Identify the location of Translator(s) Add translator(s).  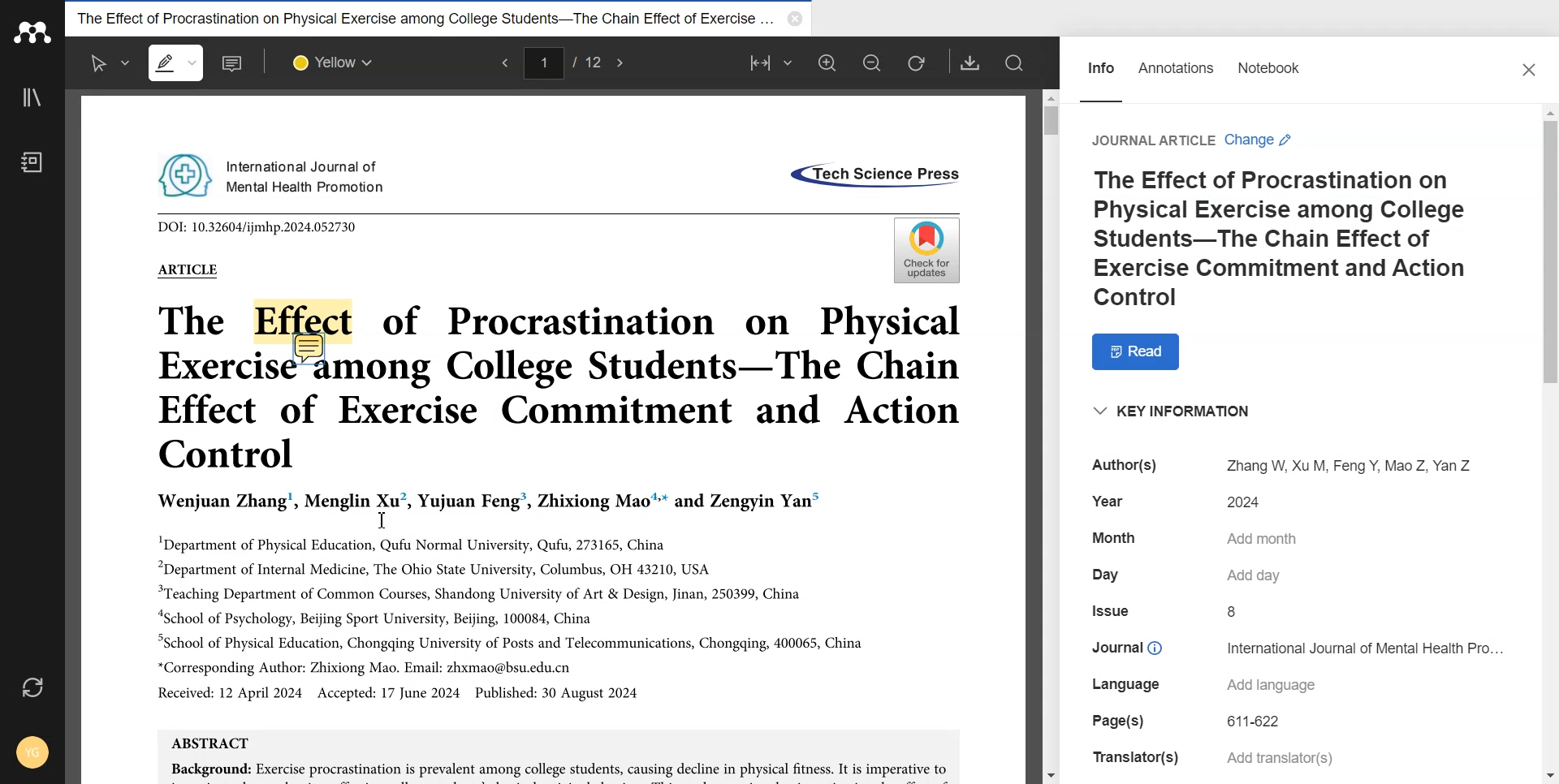
(1212, 758).